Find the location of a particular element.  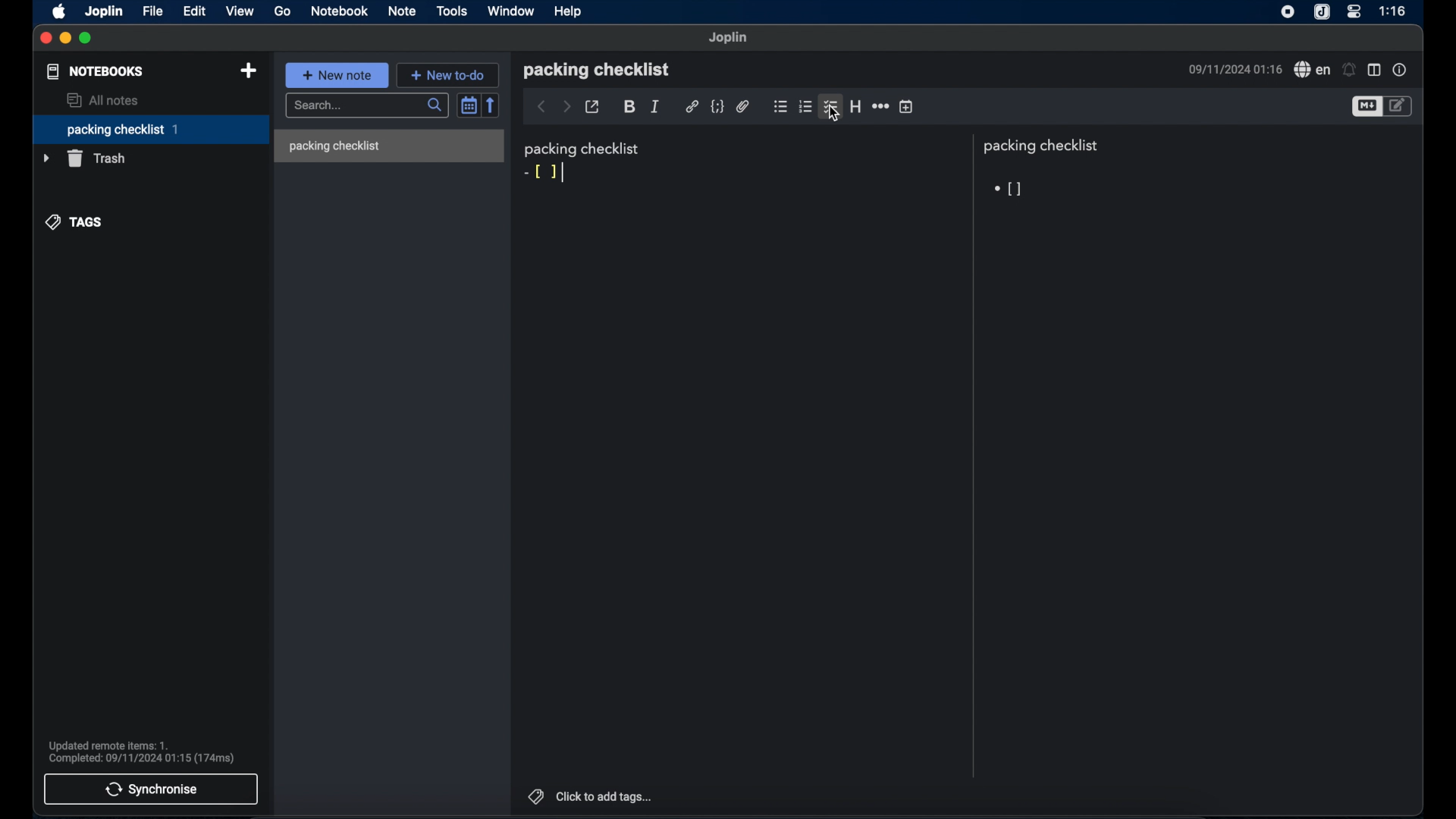

bold is located at coordinates (629, 107).